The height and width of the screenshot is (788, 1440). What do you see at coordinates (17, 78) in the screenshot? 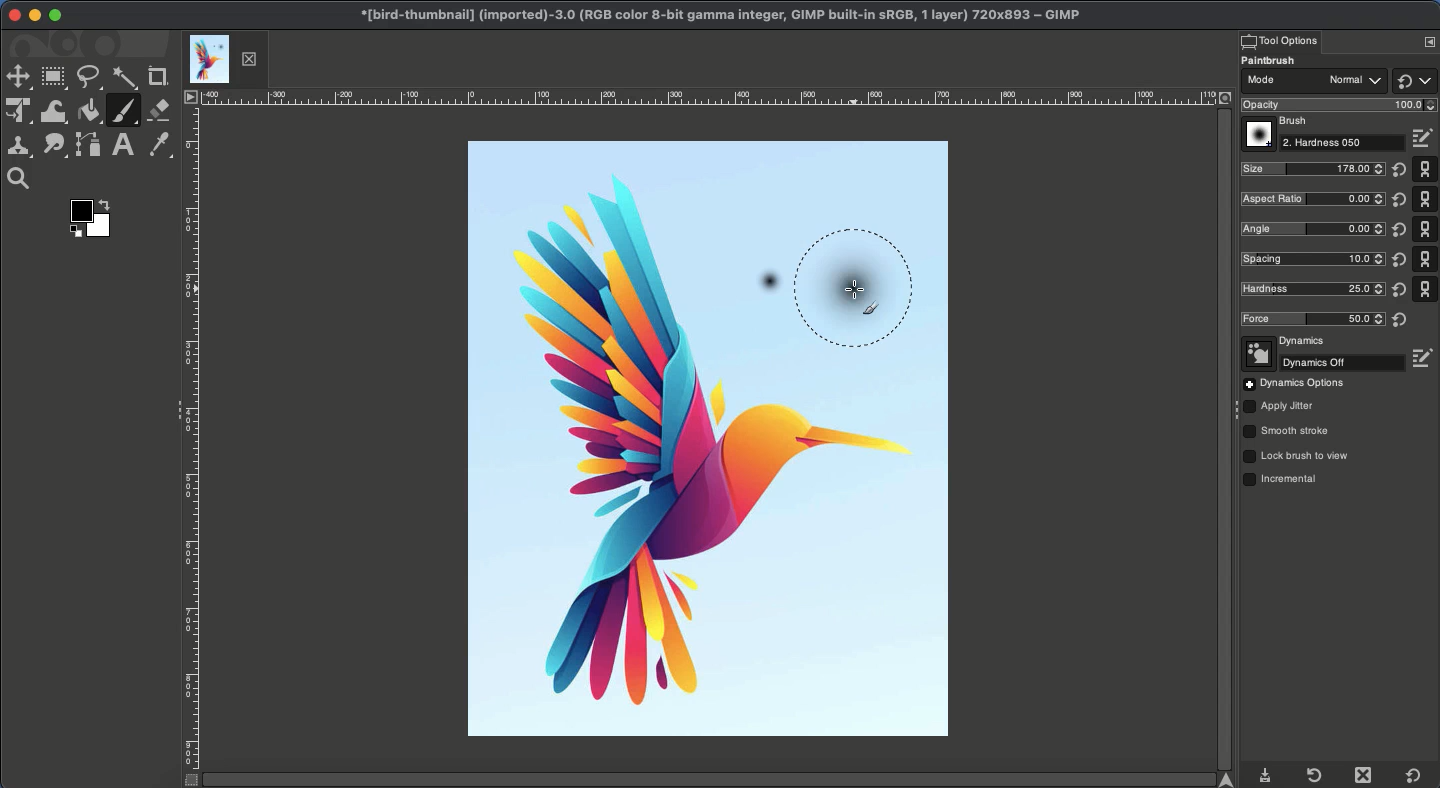
I see `Move tool` at bounding box center [17, 78].